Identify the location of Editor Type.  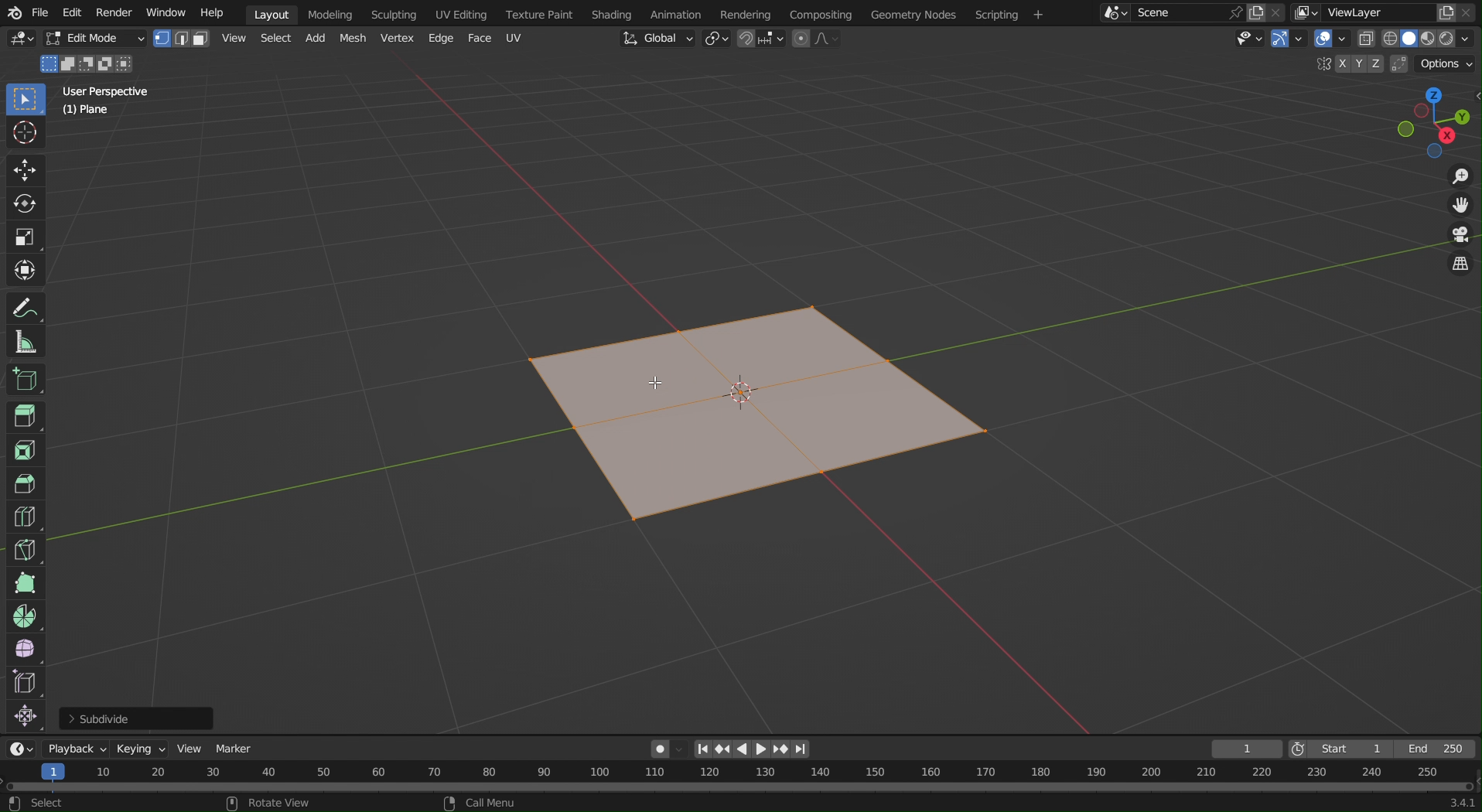
(22, 749).